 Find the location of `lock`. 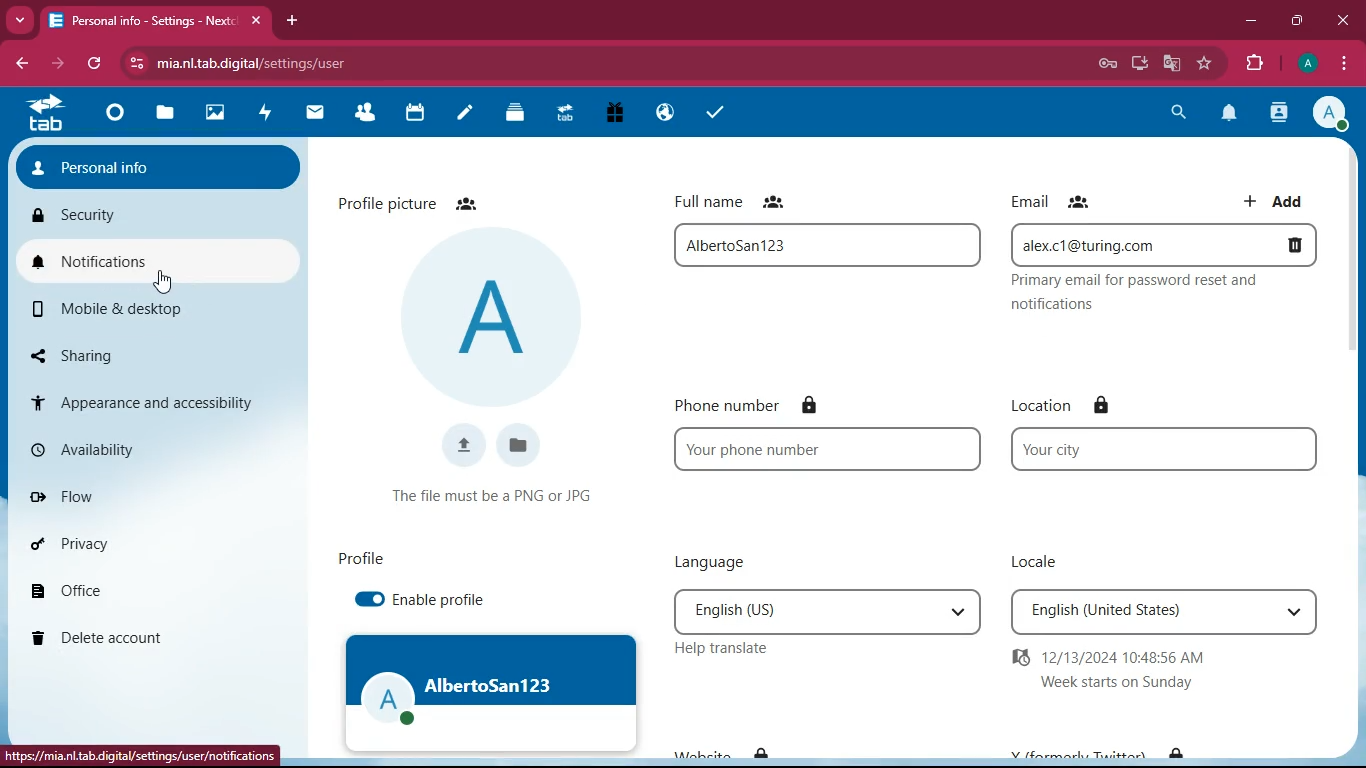

lock is located at coordinates (1115, 405).